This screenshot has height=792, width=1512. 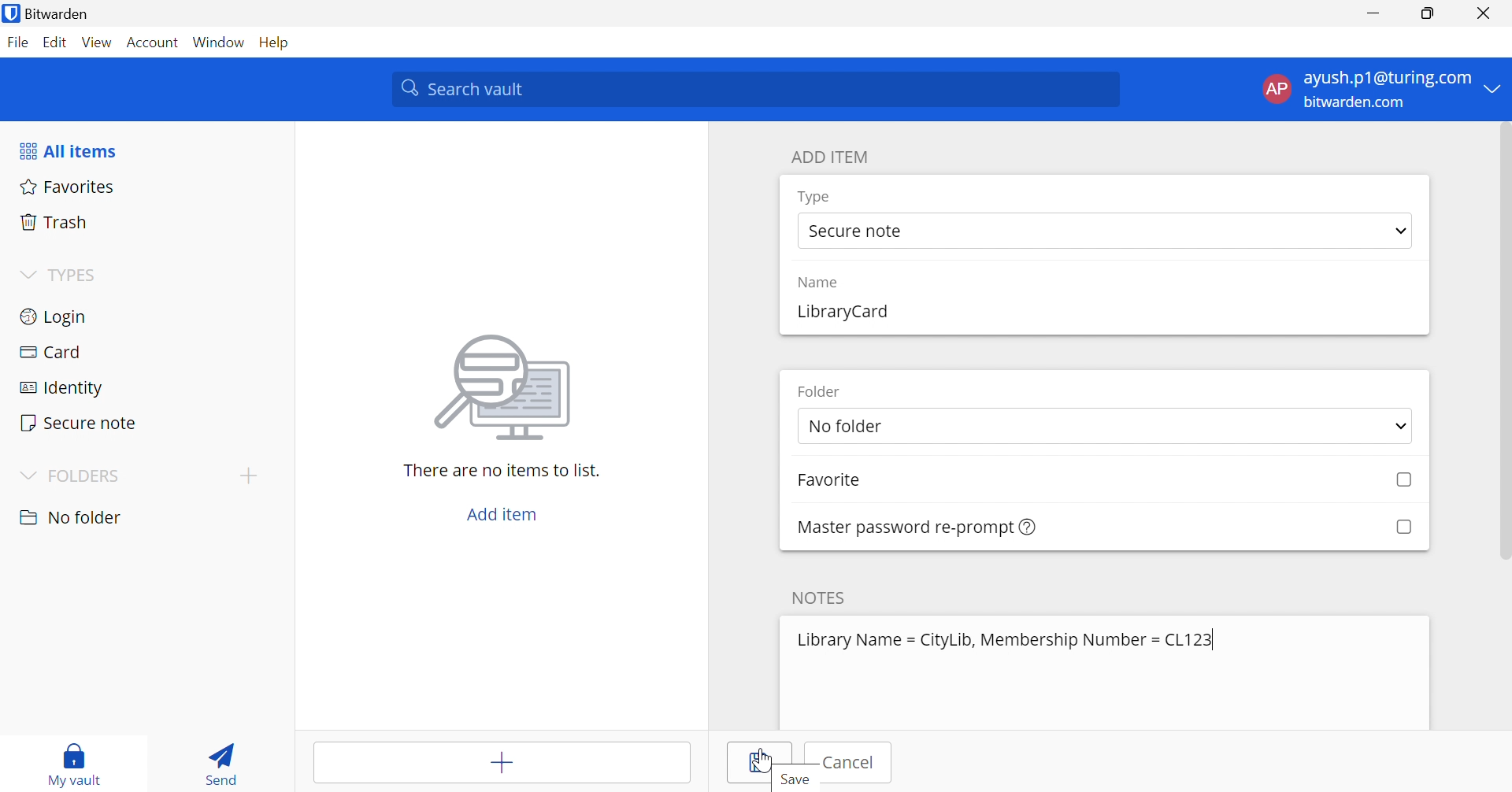 I want to click on ADD ITEM, so click(x=830, y=156).